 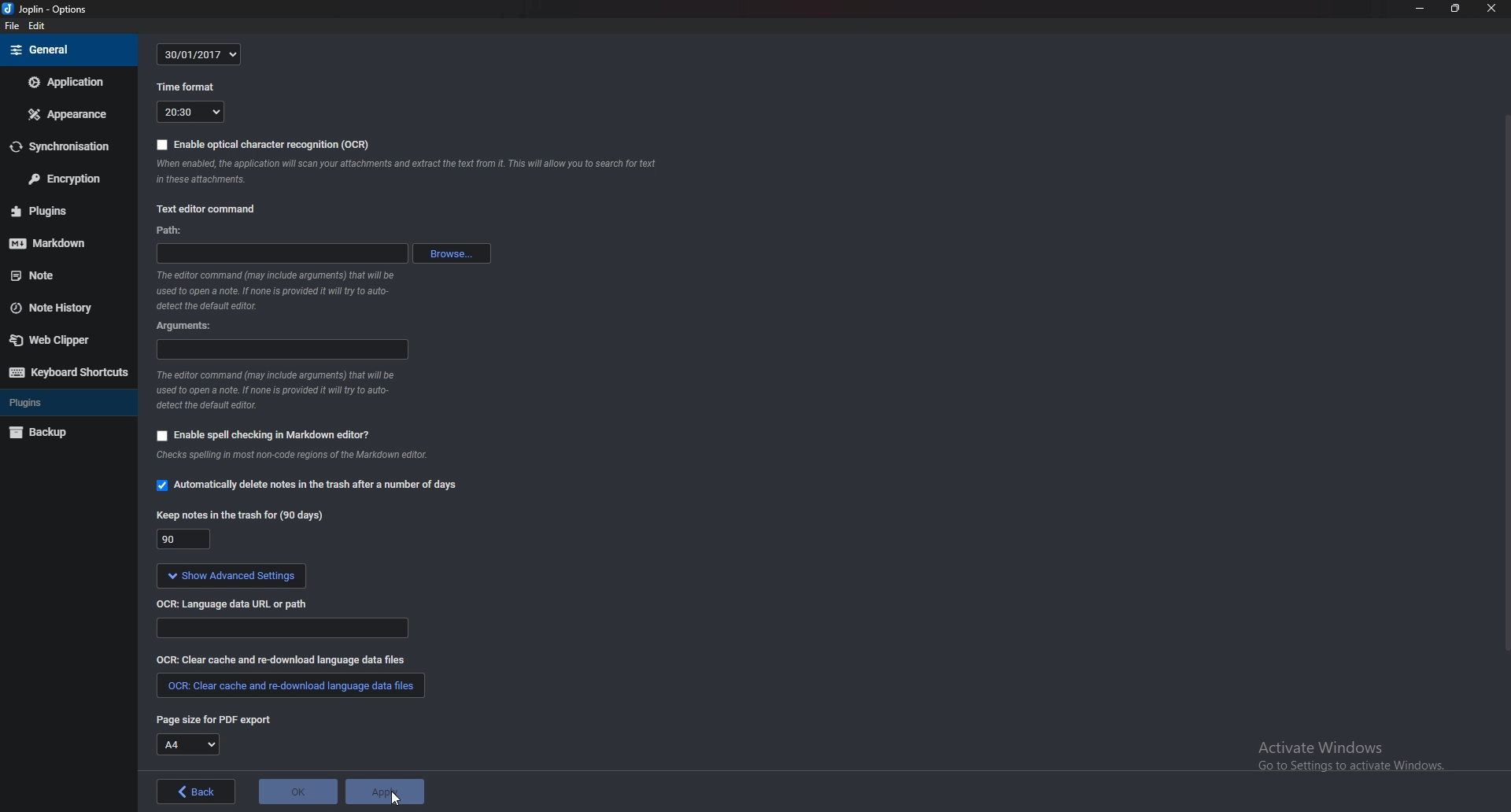 I want to click on joplin - options, so click(x=50, y=10).